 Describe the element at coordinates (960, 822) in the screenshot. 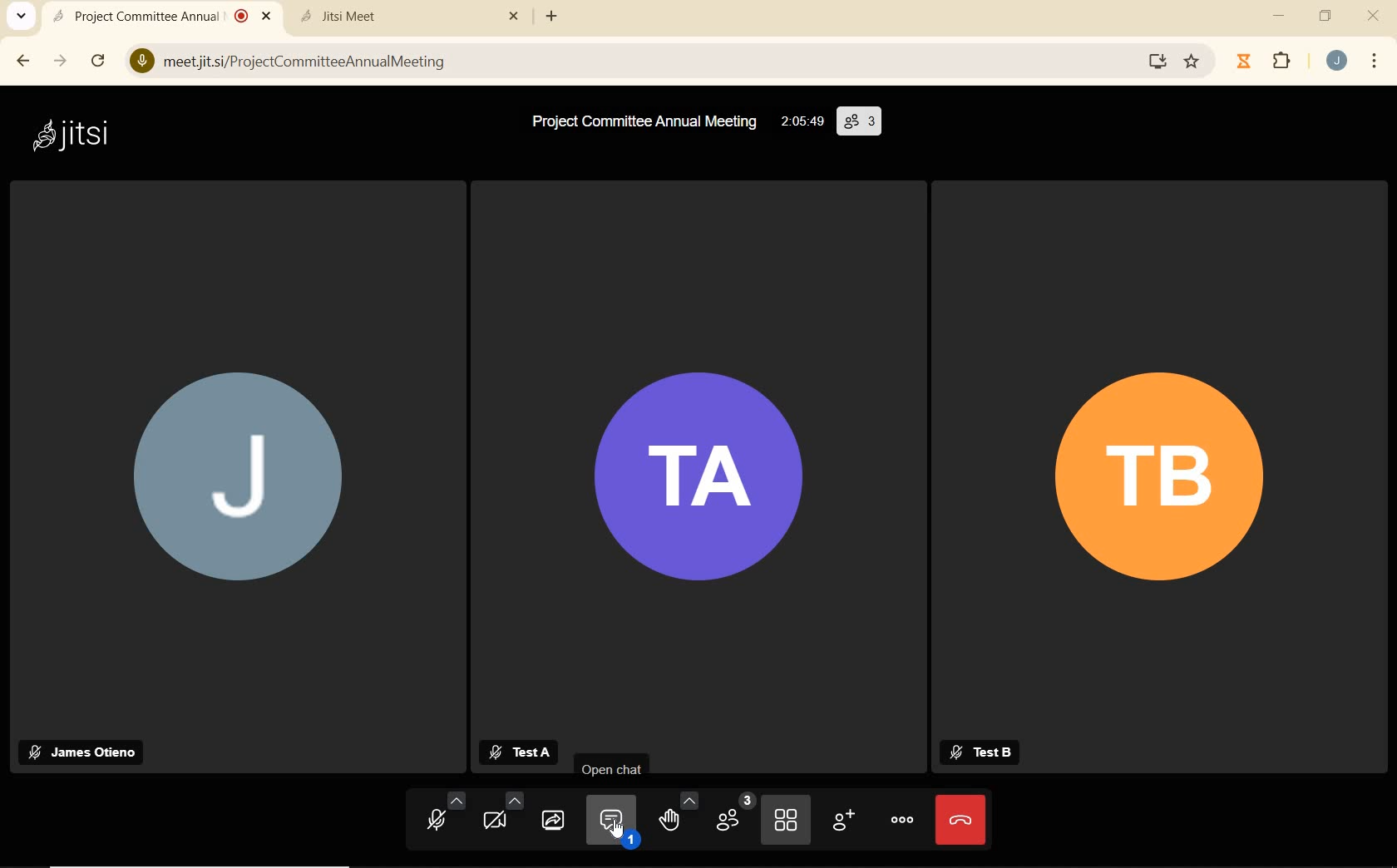

I see `leave meeting` at that location.